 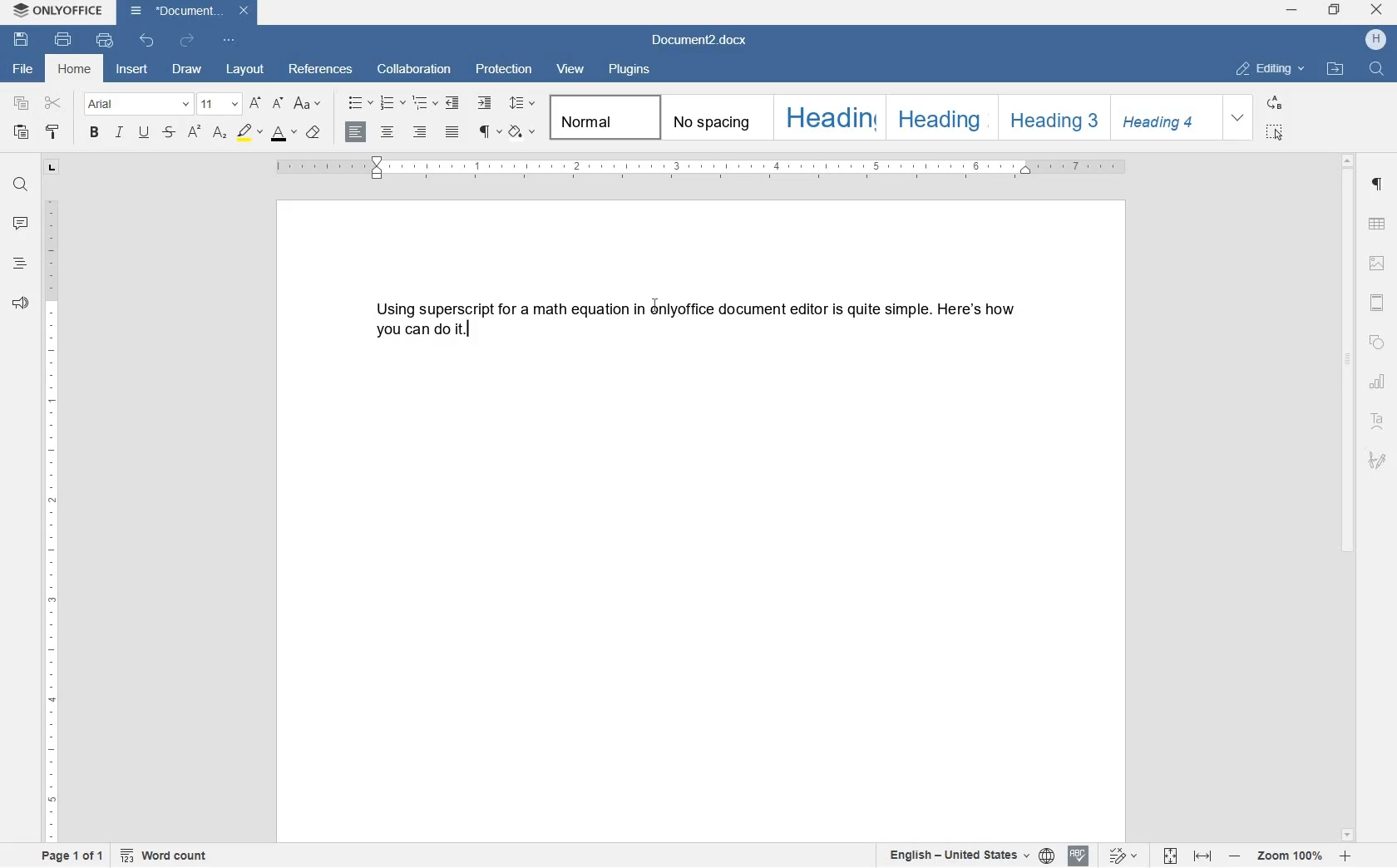 I want to click on align left, so click(x=357, y=133).